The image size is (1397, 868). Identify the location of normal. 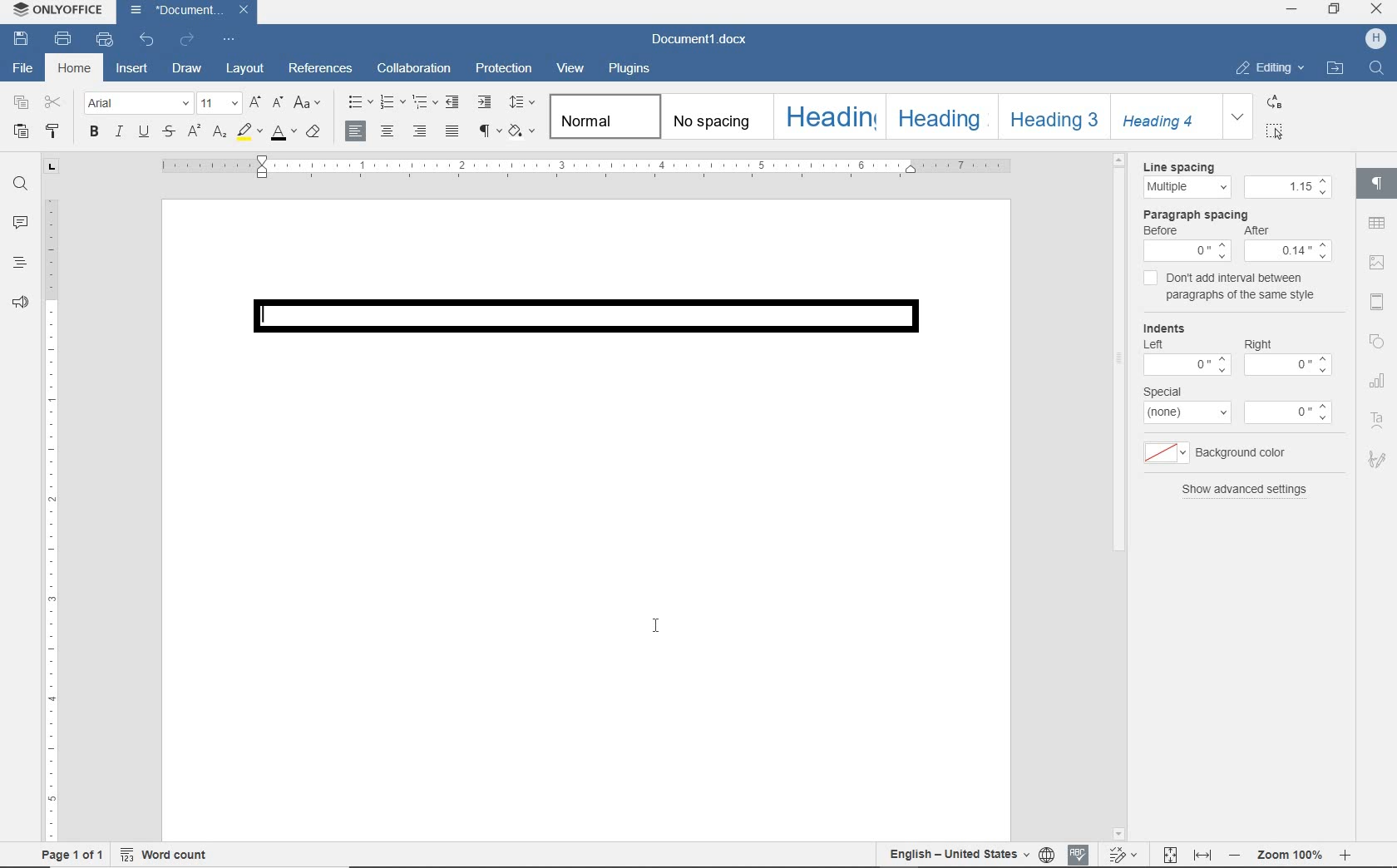
(605, 117).